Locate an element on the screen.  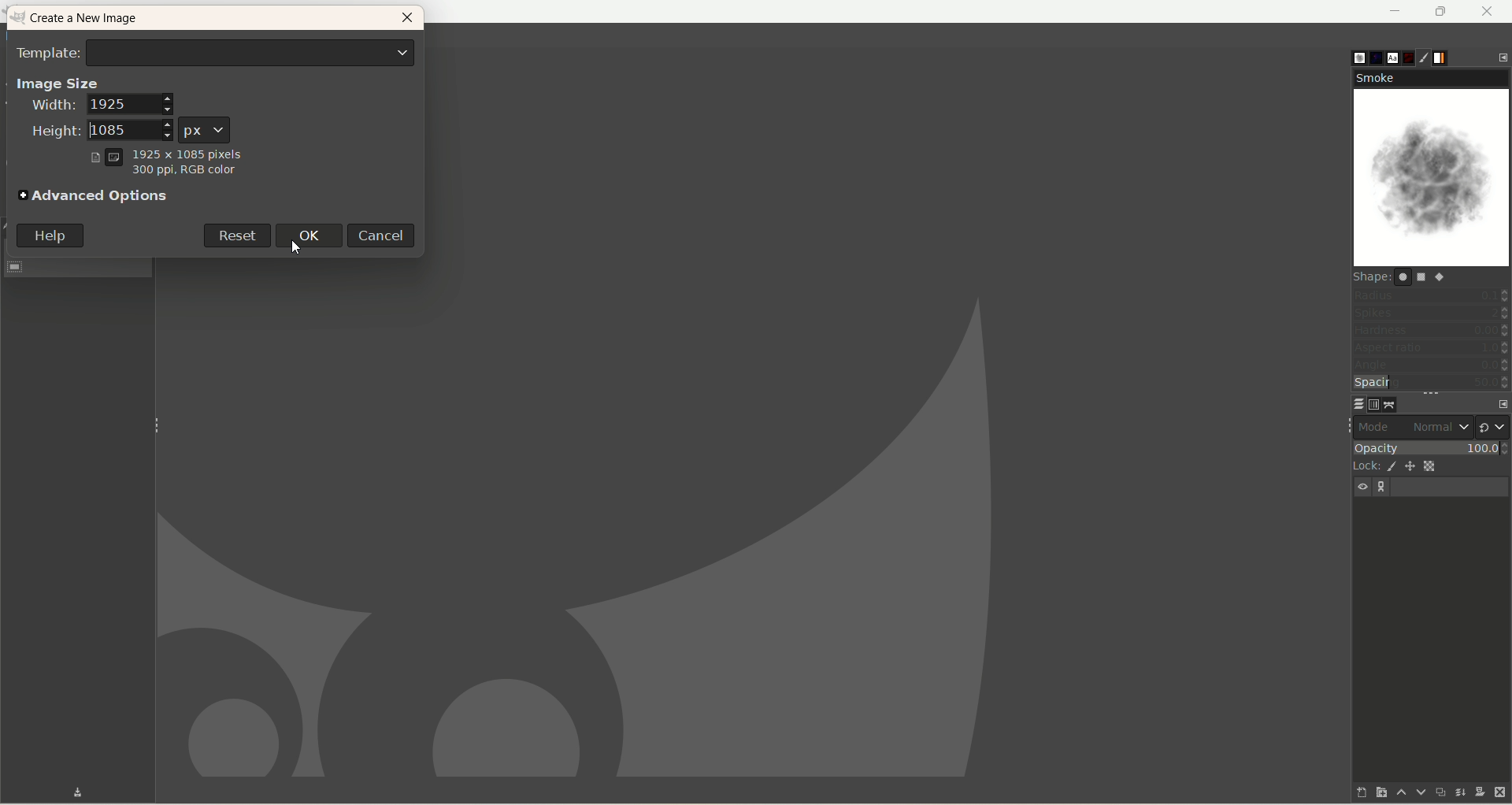
brush editor is located at coordinates (1431, 58).